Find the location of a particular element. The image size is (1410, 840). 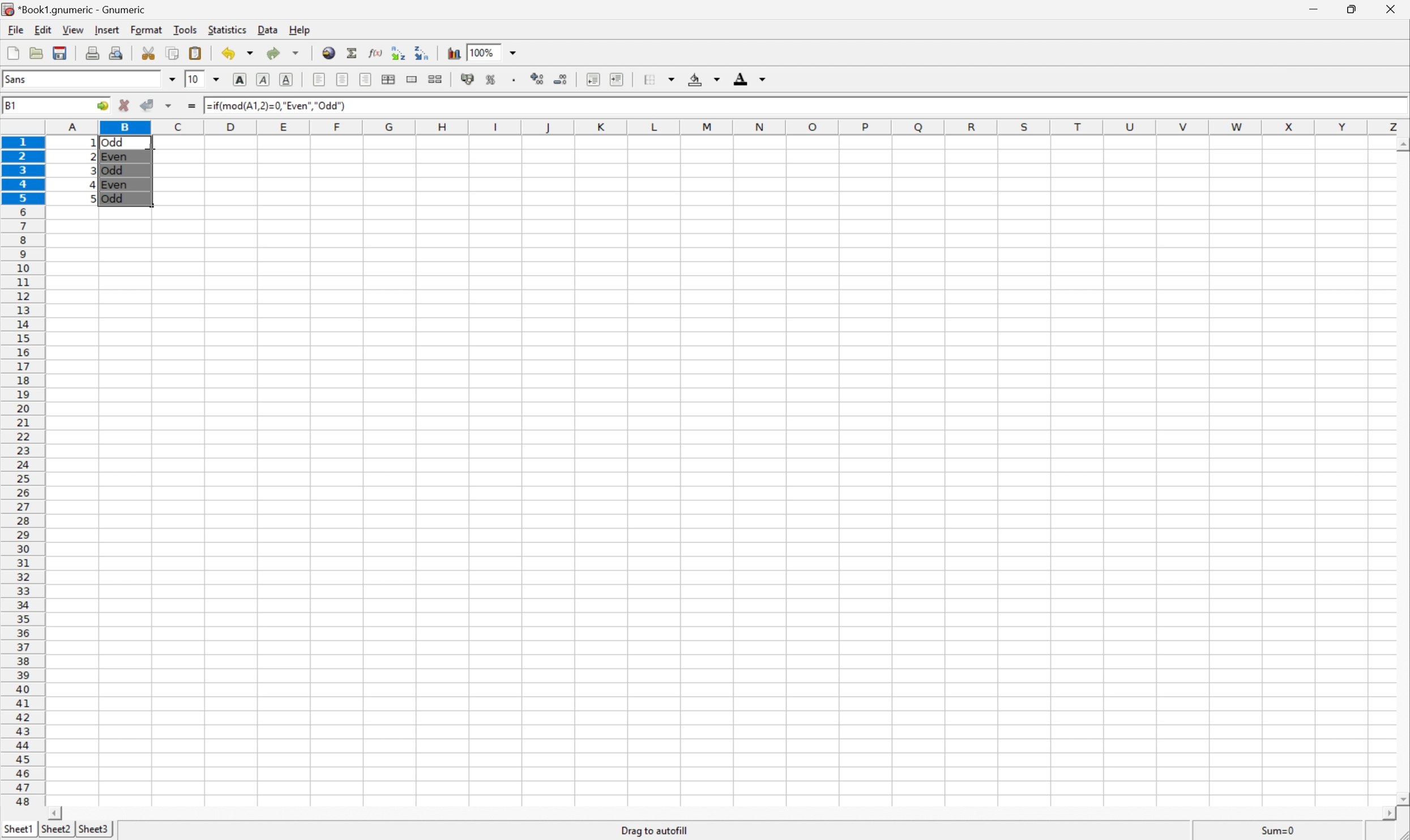

Drop Down is located at coordinates (512, 53).